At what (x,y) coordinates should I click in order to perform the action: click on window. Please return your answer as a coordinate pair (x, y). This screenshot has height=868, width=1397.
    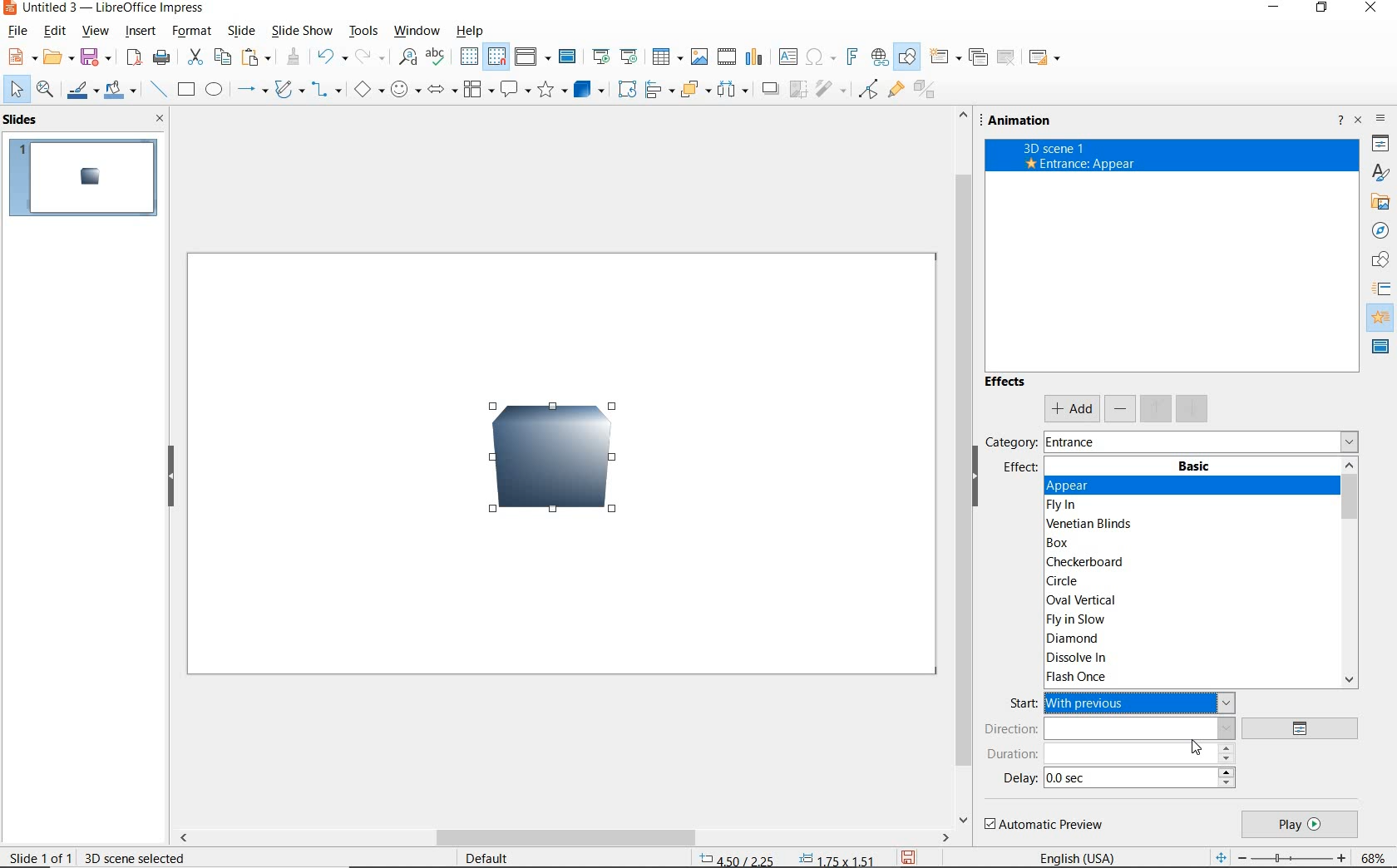
    Looking at the image, I should click on (415, 31).